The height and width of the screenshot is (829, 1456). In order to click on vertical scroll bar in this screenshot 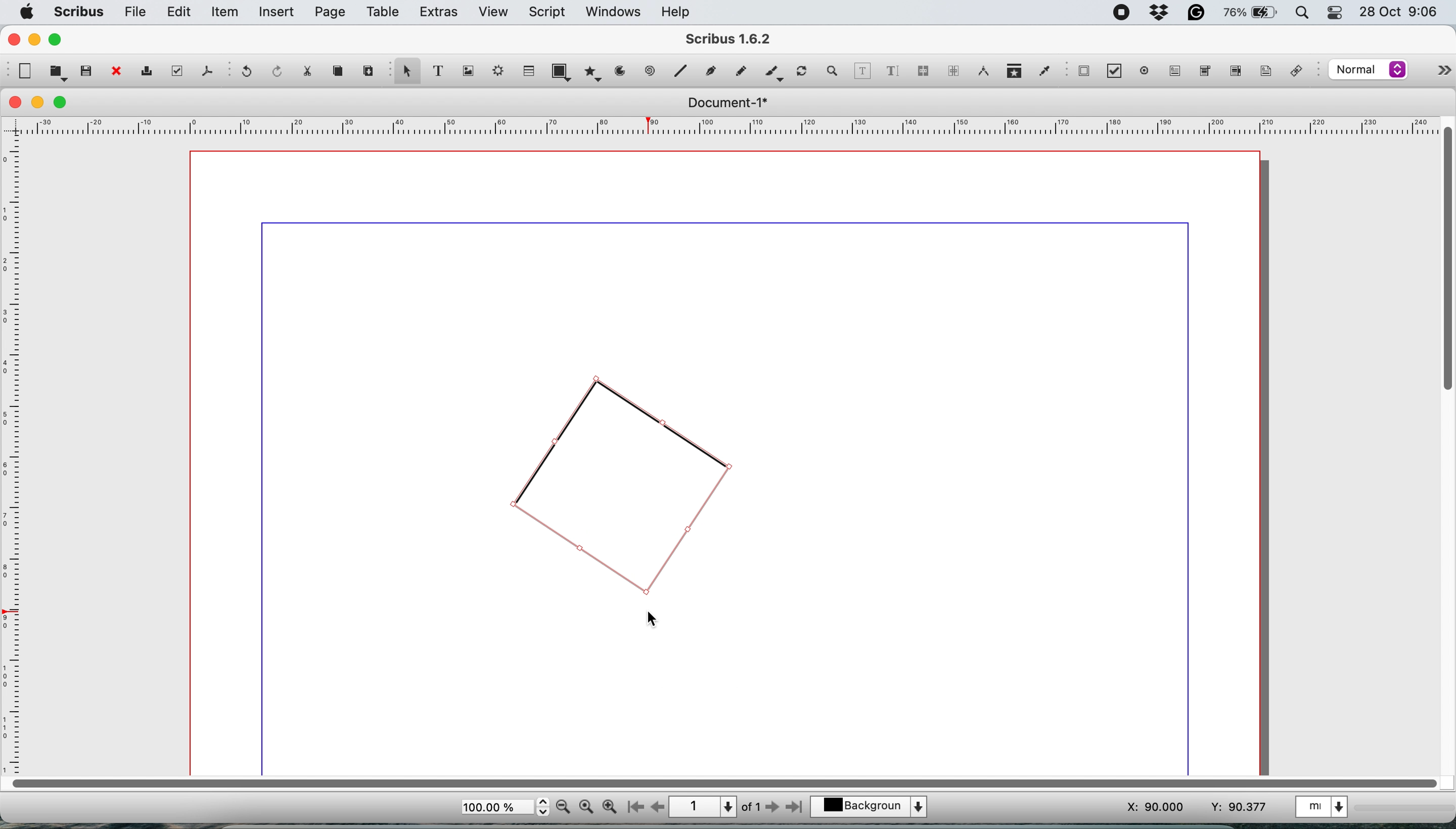, I will do `click(1443, 261)`.